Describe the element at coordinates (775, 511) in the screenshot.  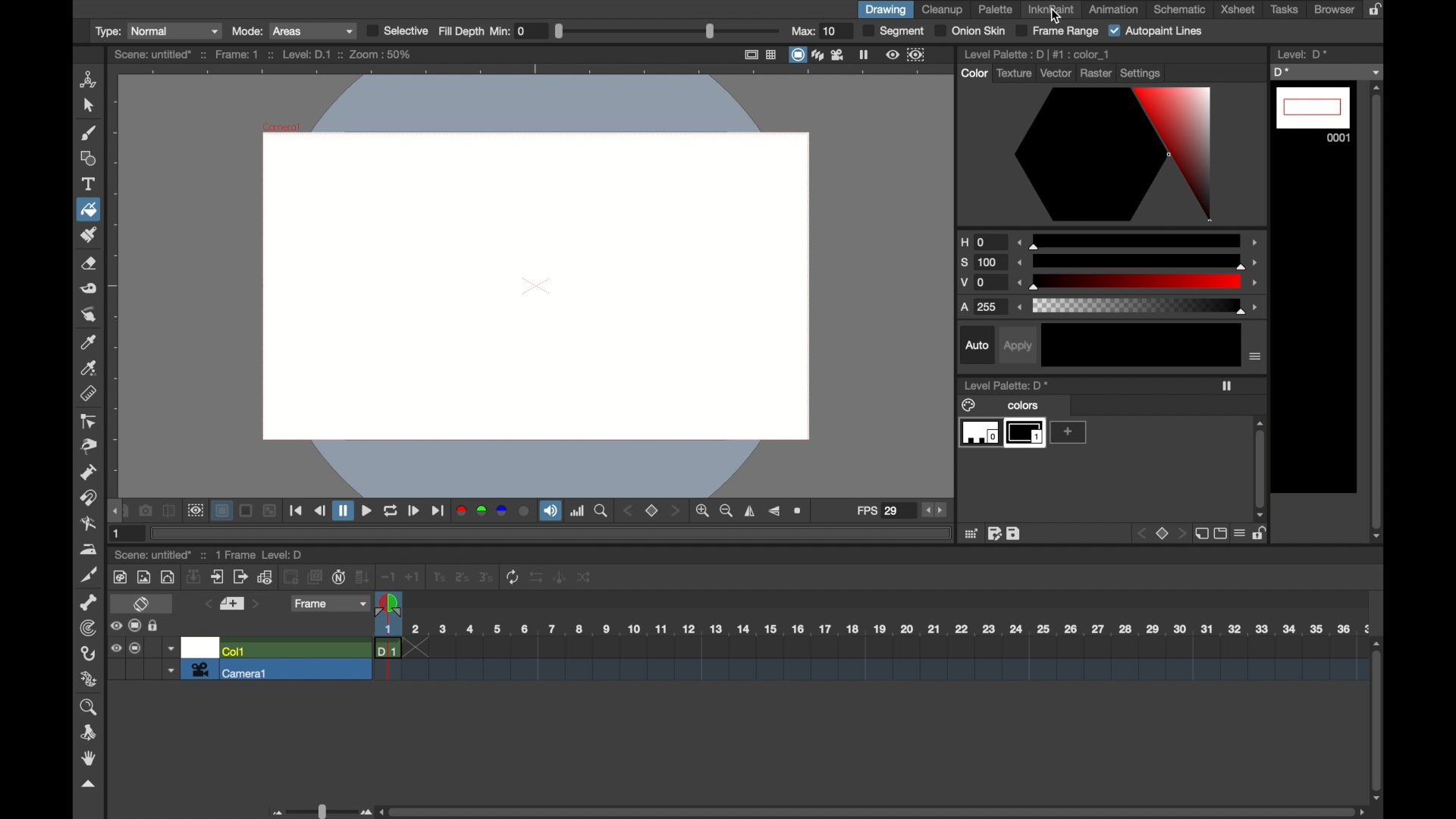
I see `flip vertically` at that location.